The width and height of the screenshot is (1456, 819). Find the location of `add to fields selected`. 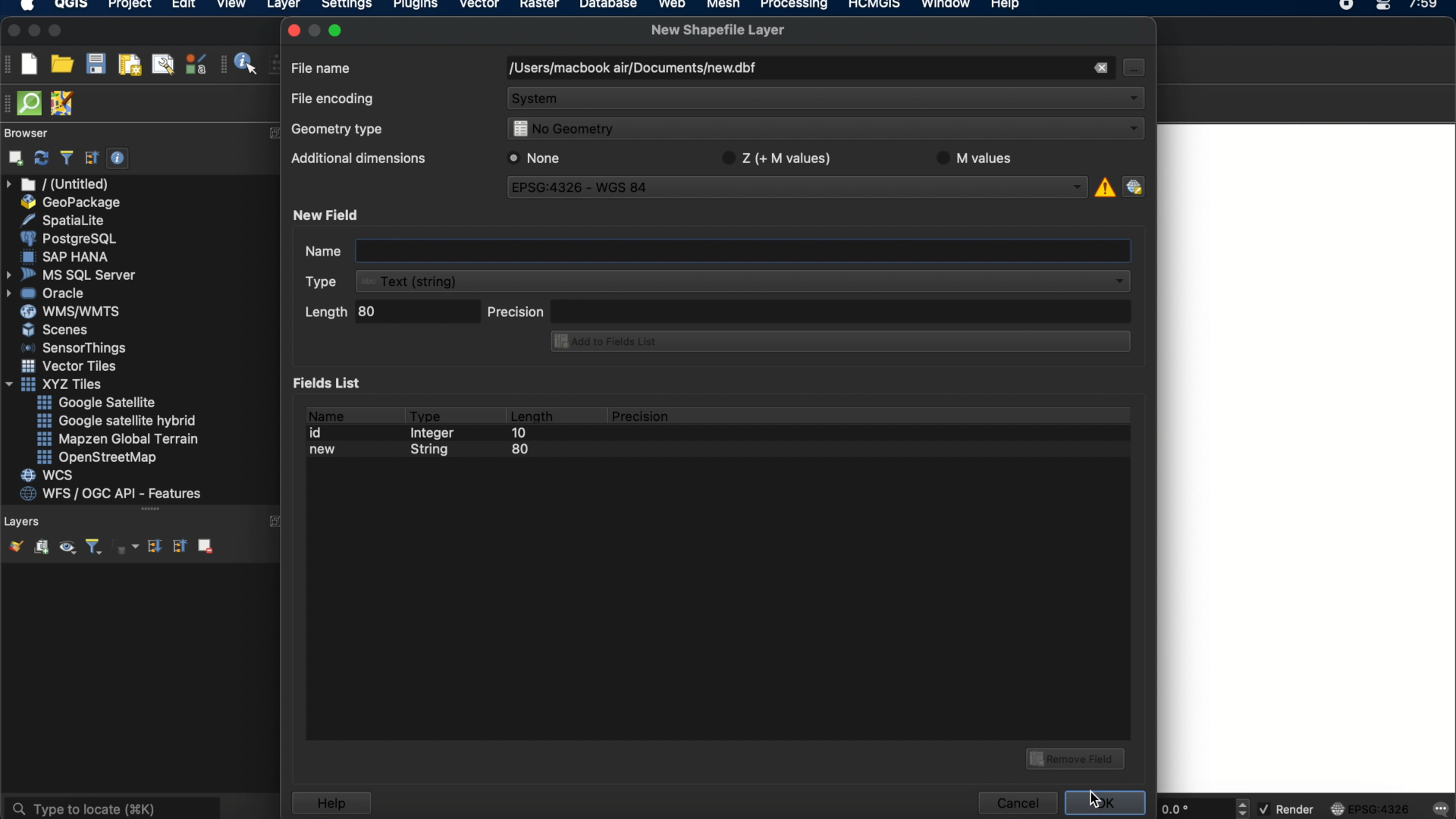

add to fields selected is located at coordinates (835, 343).